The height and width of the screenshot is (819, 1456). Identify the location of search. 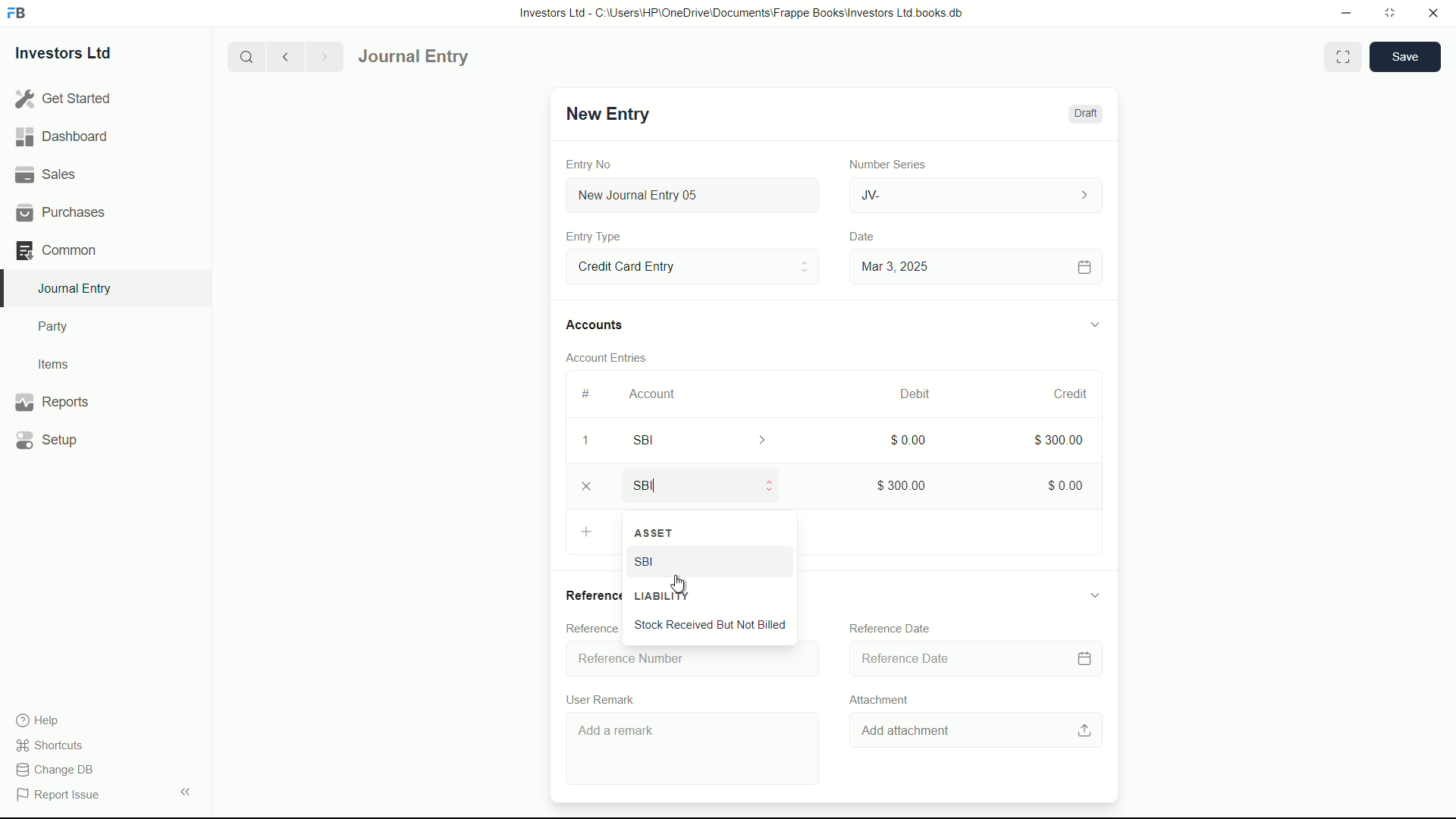
(245, 55).